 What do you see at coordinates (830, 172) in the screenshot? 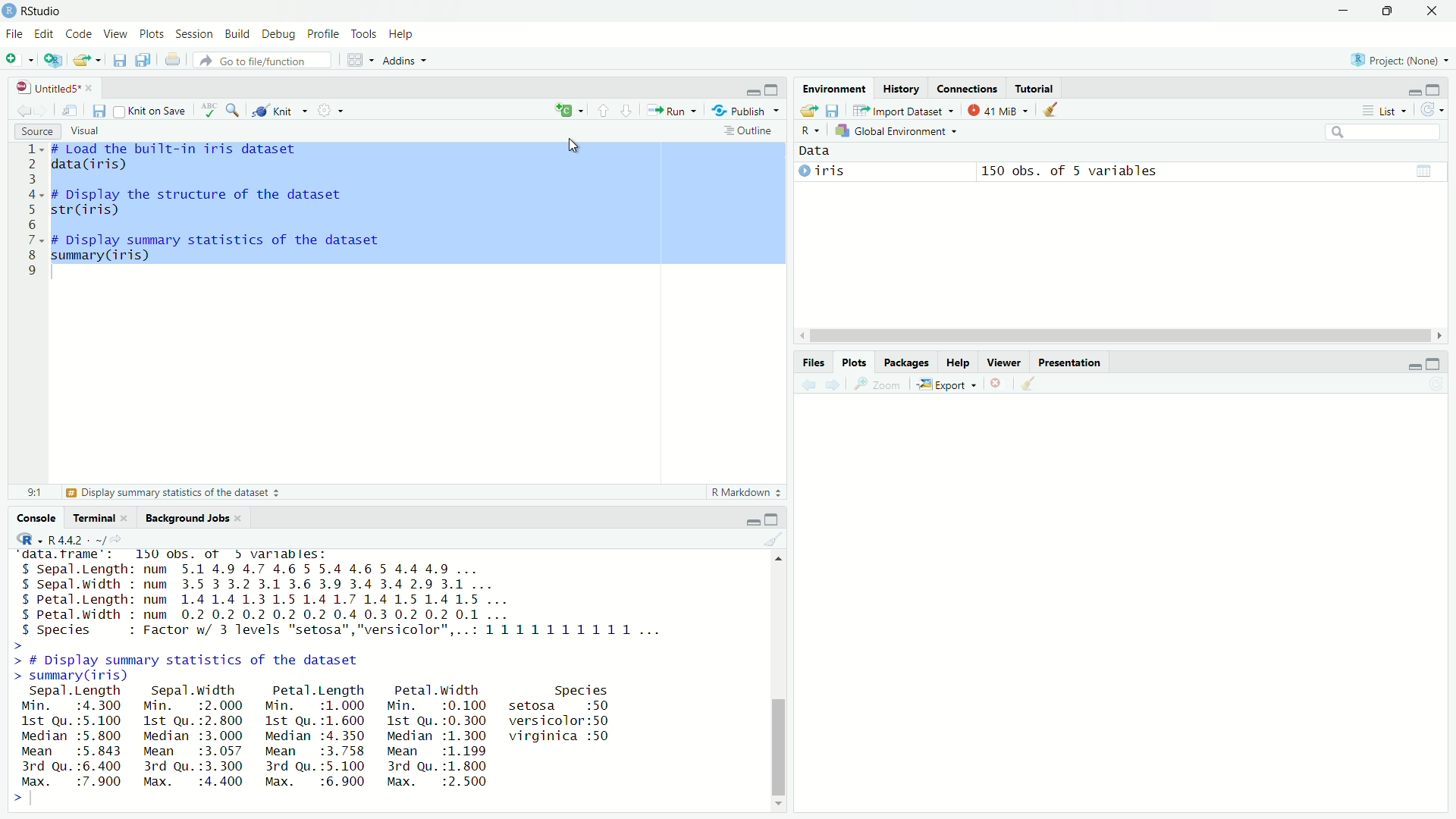
I see `©iris` at bounding box center [830, 172].